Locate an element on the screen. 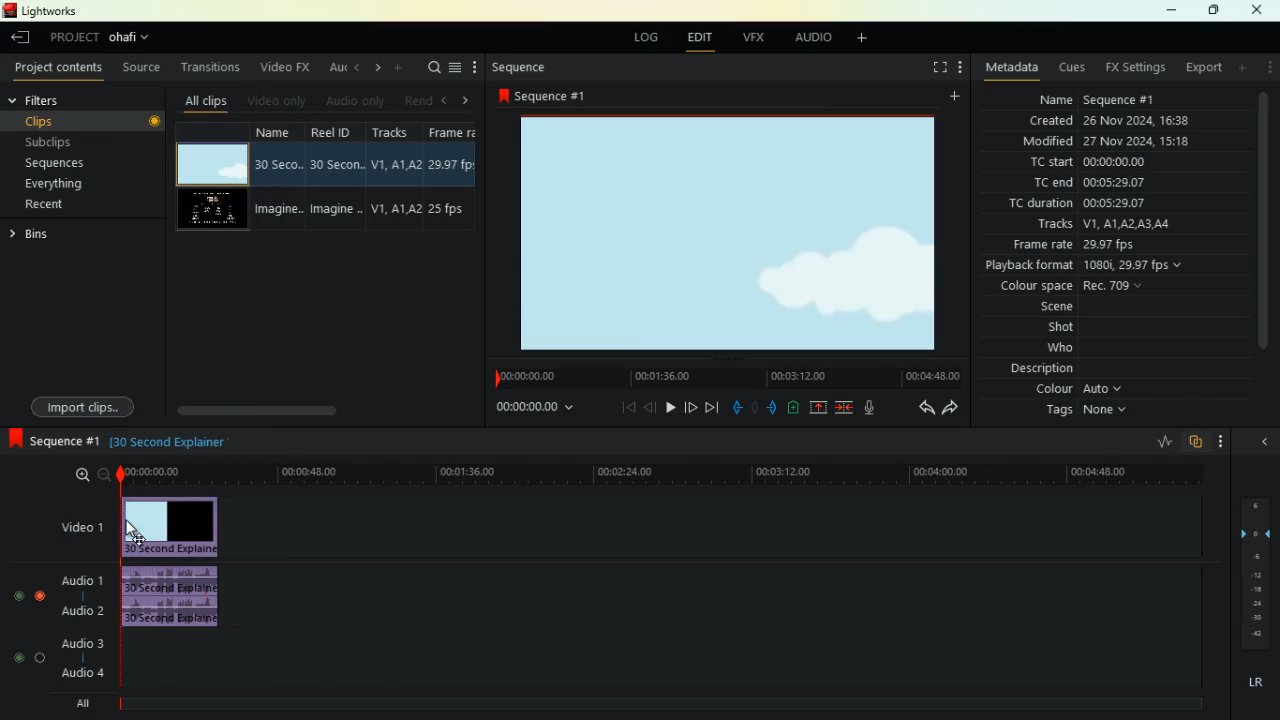 Image resolution: width=1280 pixels, height=720 pixels. name is located at coordinates (282, 178).